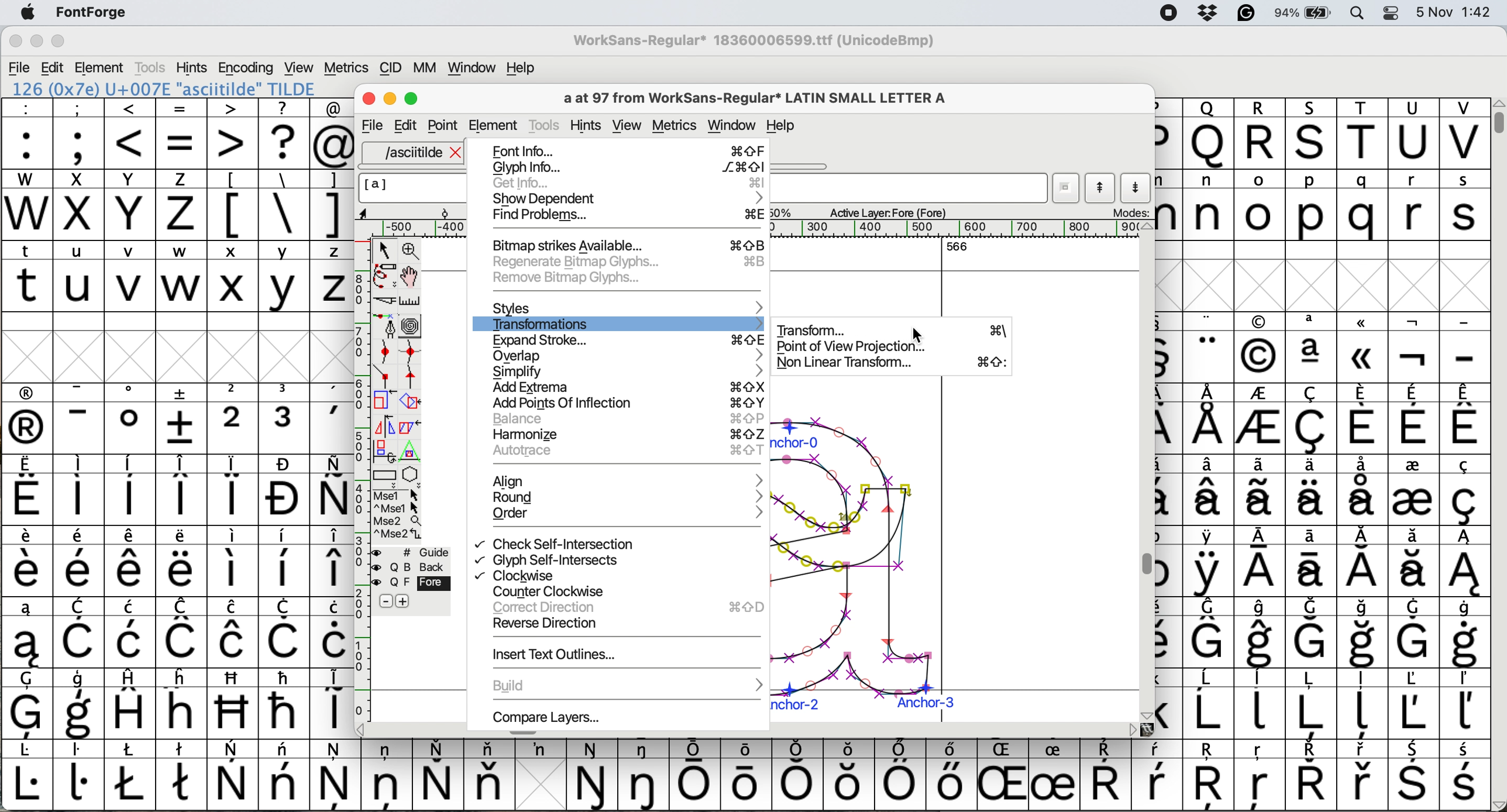 The height and width of the screenshot is (812, 1507). What do you see at coordinates (386, 376) in the screenshot?
I see `add a comer point` at bounding box center [386, 376].